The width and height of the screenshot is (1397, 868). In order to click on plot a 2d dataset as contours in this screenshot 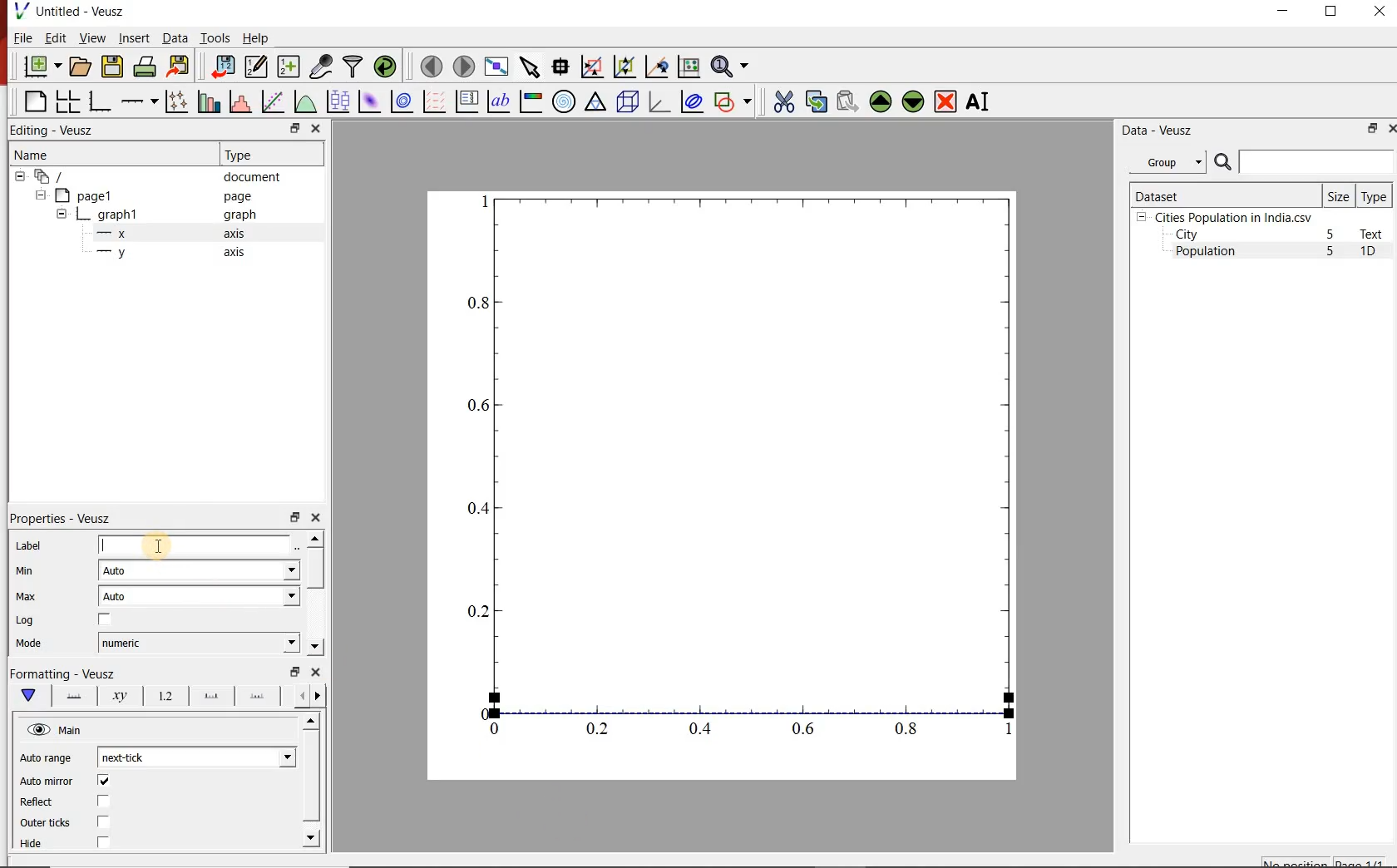, I will do `click(400, 101)`.